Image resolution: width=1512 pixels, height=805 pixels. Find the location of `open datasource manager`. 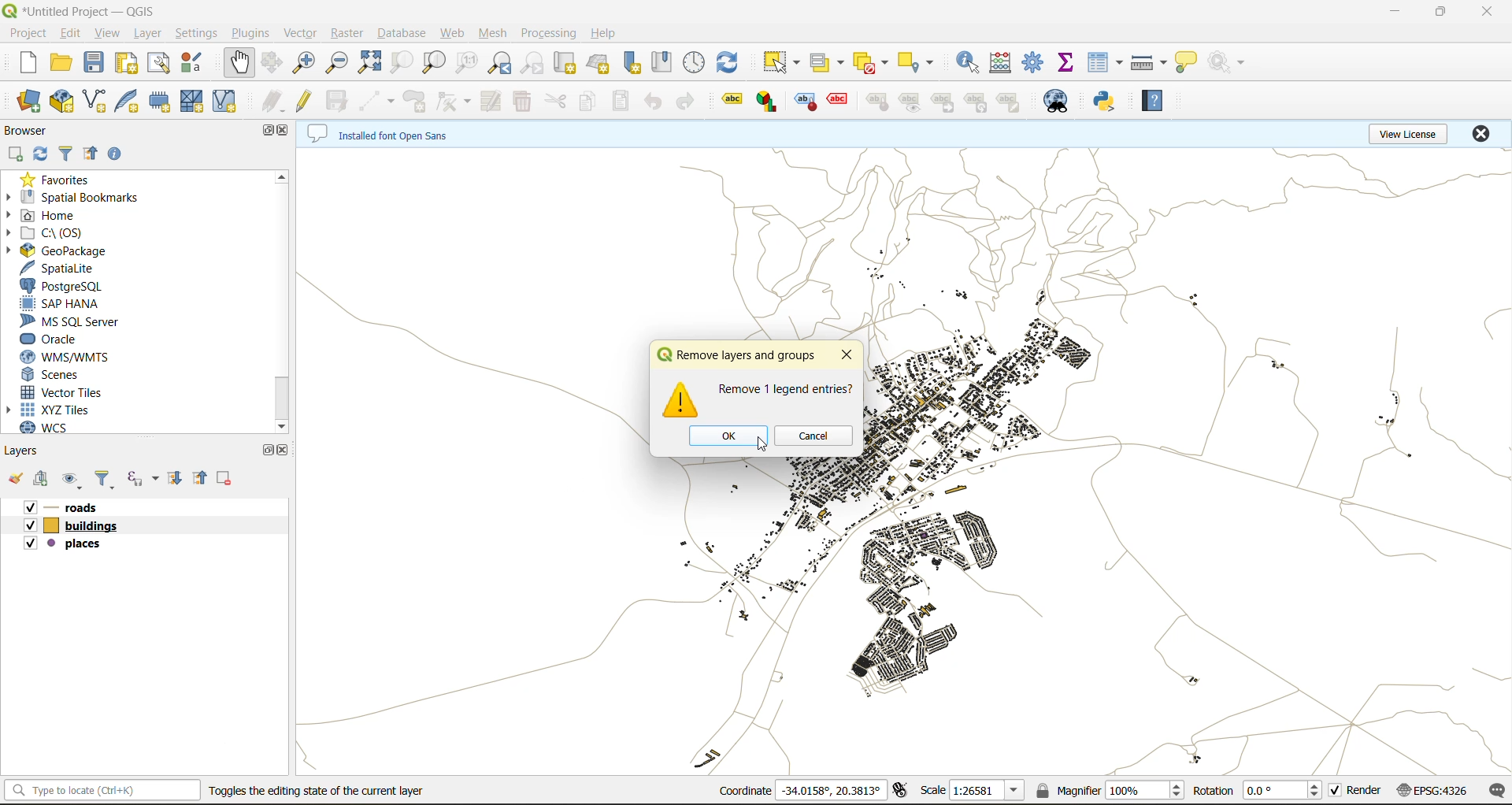

open datasource manager is located at coordinates (28, 102).